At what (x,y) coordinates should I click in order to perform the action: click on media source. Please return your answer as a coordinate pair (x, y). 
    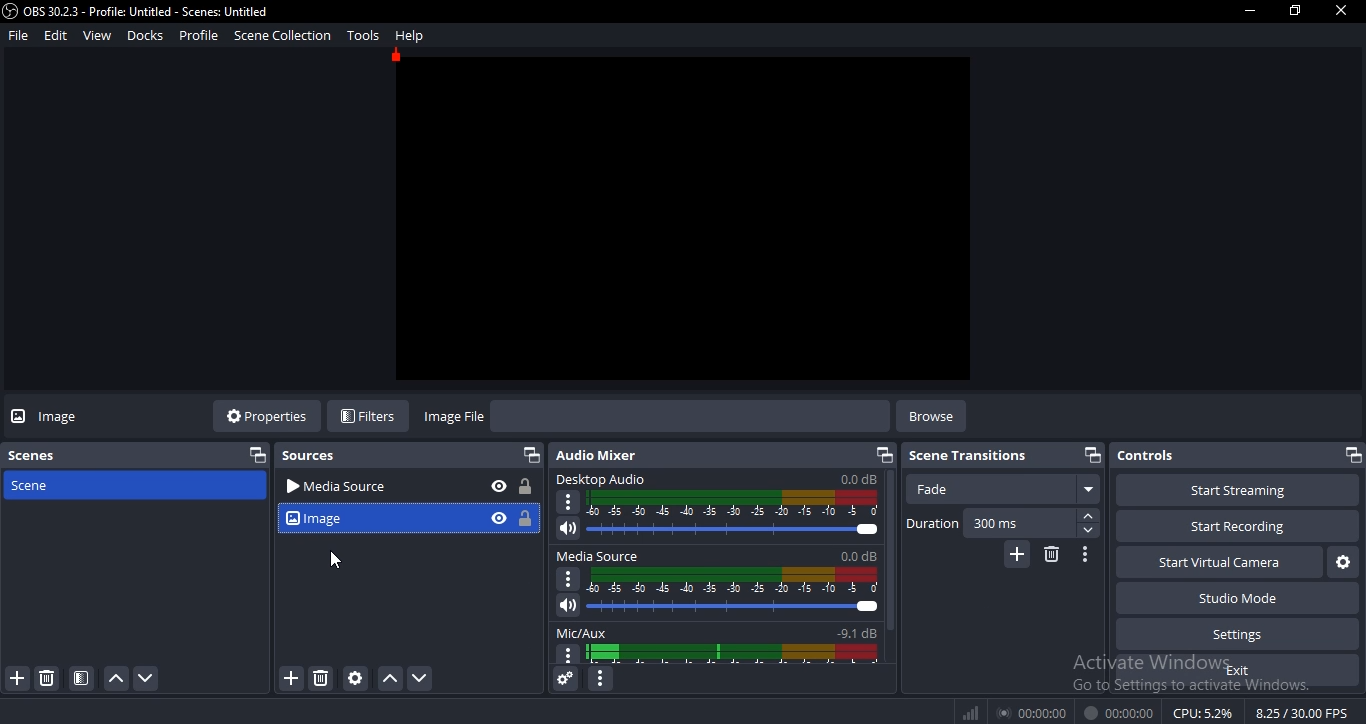
    Looking at the image, I should click on (718, 557).